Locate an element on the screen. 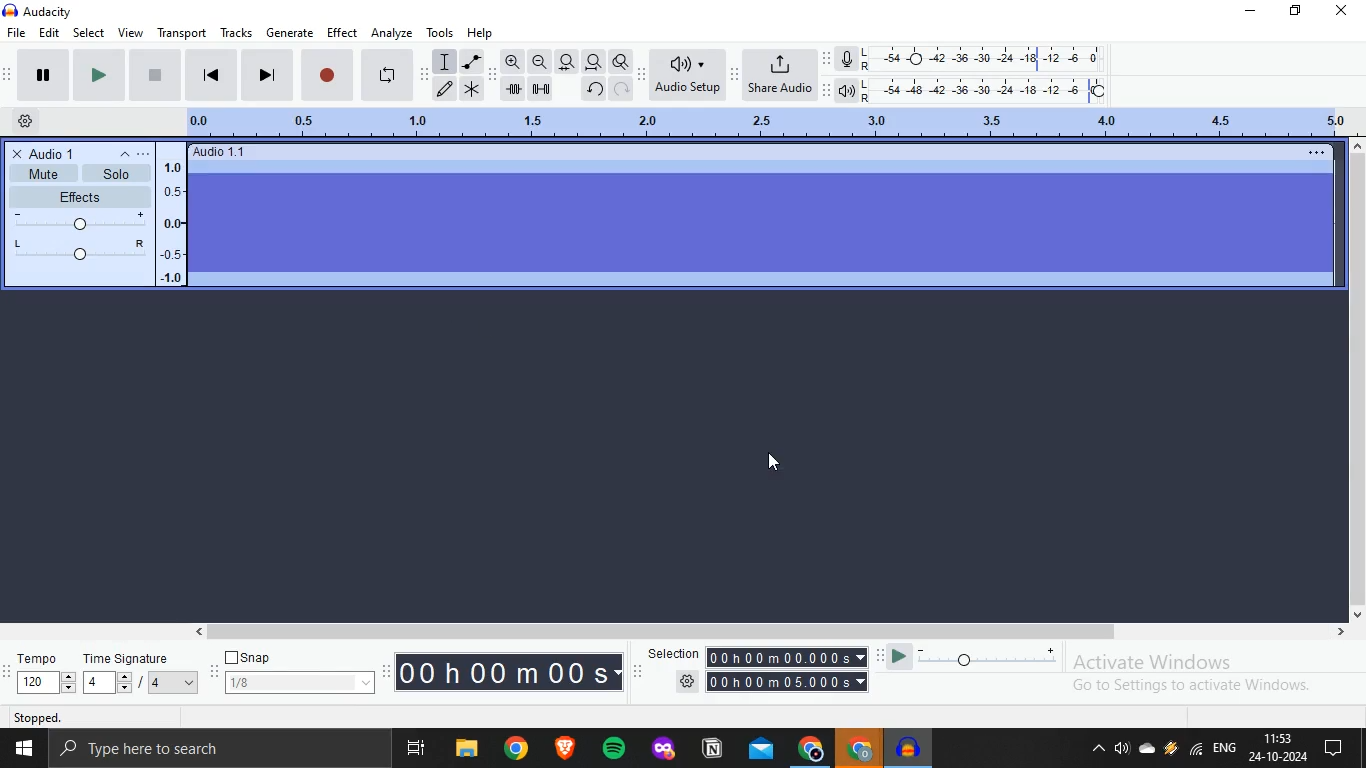 The image size is (1366, 768). 00h 00m 00s is located at coordinates (509, 671).